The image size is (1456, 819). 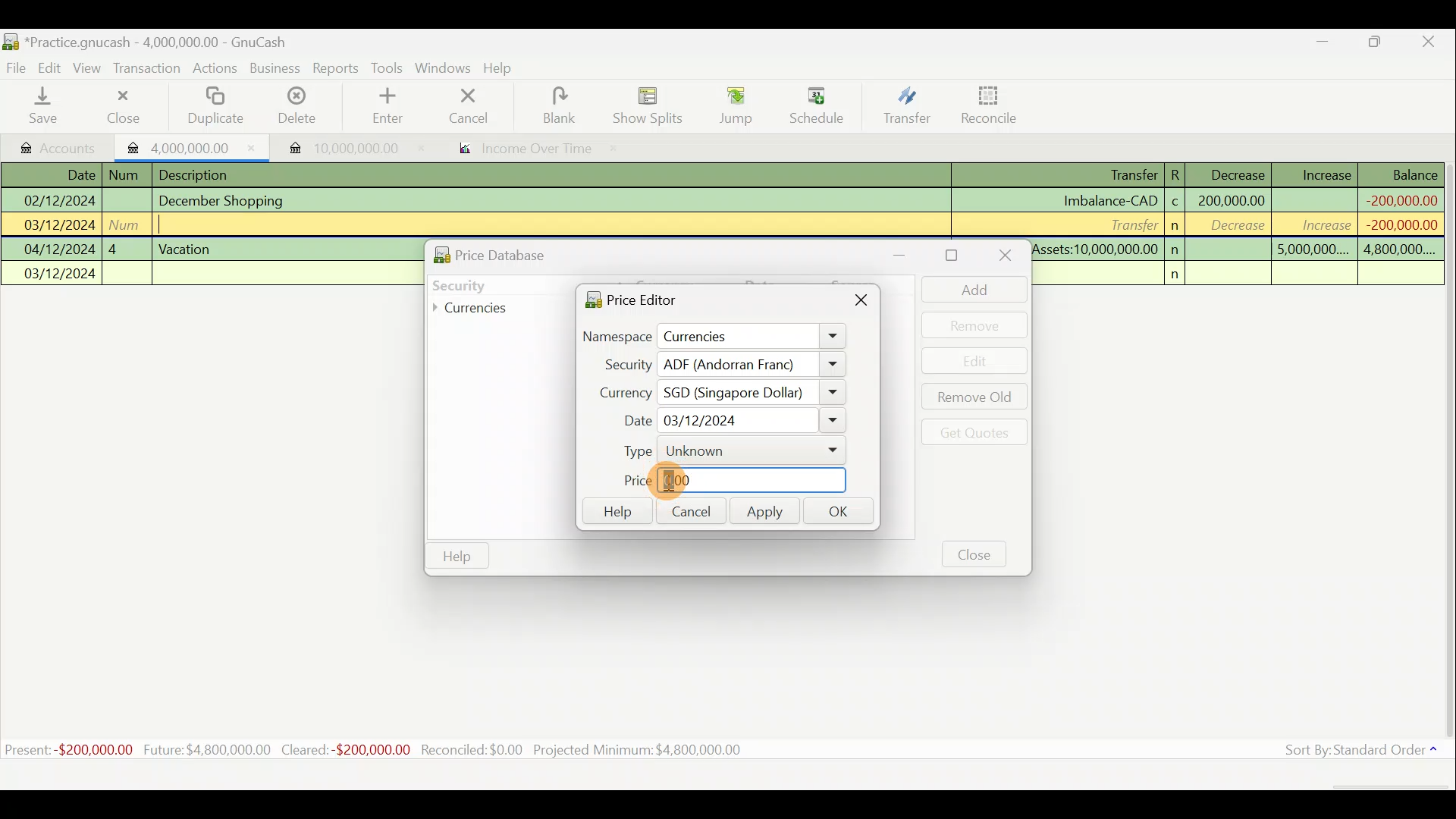 I want to click on Decrease, so click(x=1237, y=174).